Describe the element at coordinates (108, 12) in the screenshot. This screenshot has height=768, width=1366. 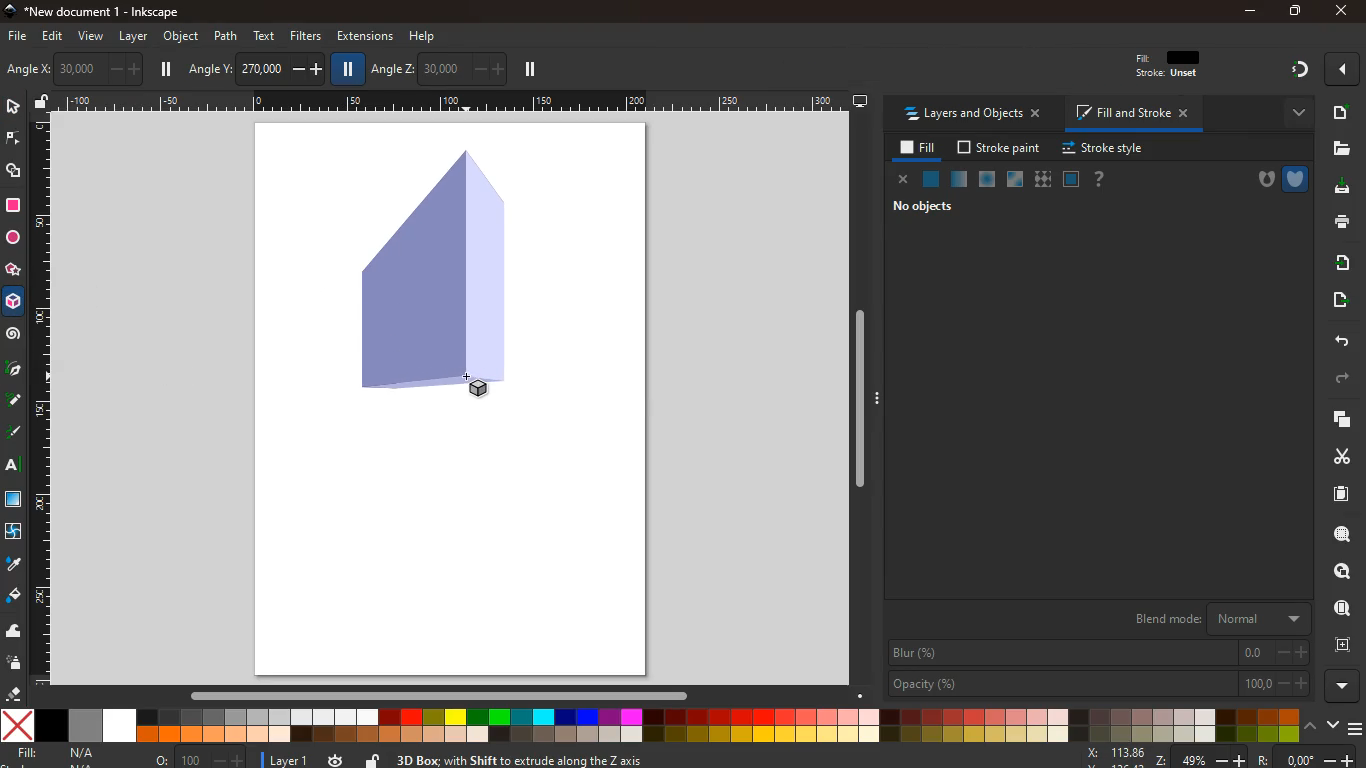
I see `inkscape` at that location.